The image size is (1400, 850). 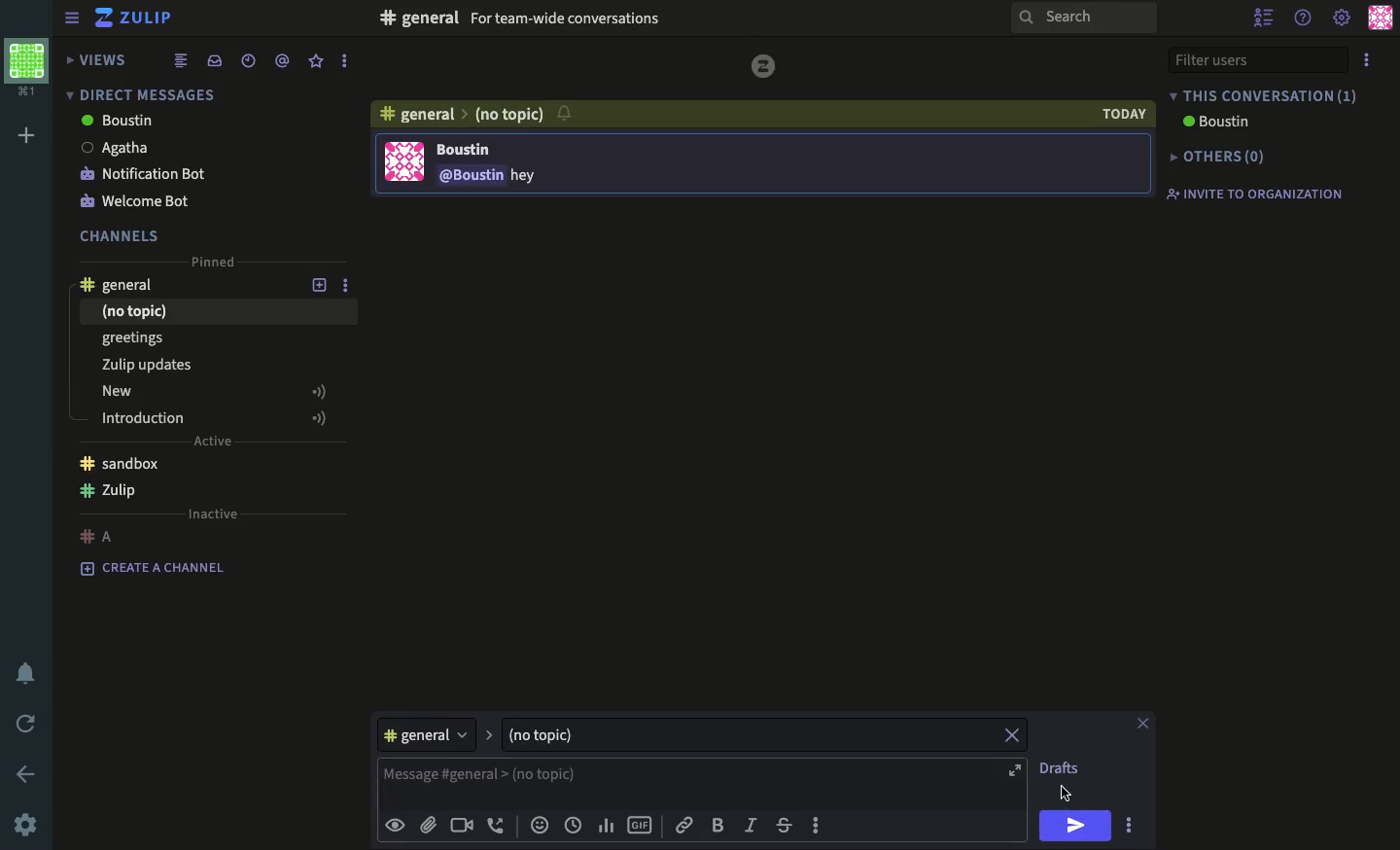 What do you see at coordinates (1213, 158) in the screenshot?
I see `others(0)` at bounding box center [1213, 158].